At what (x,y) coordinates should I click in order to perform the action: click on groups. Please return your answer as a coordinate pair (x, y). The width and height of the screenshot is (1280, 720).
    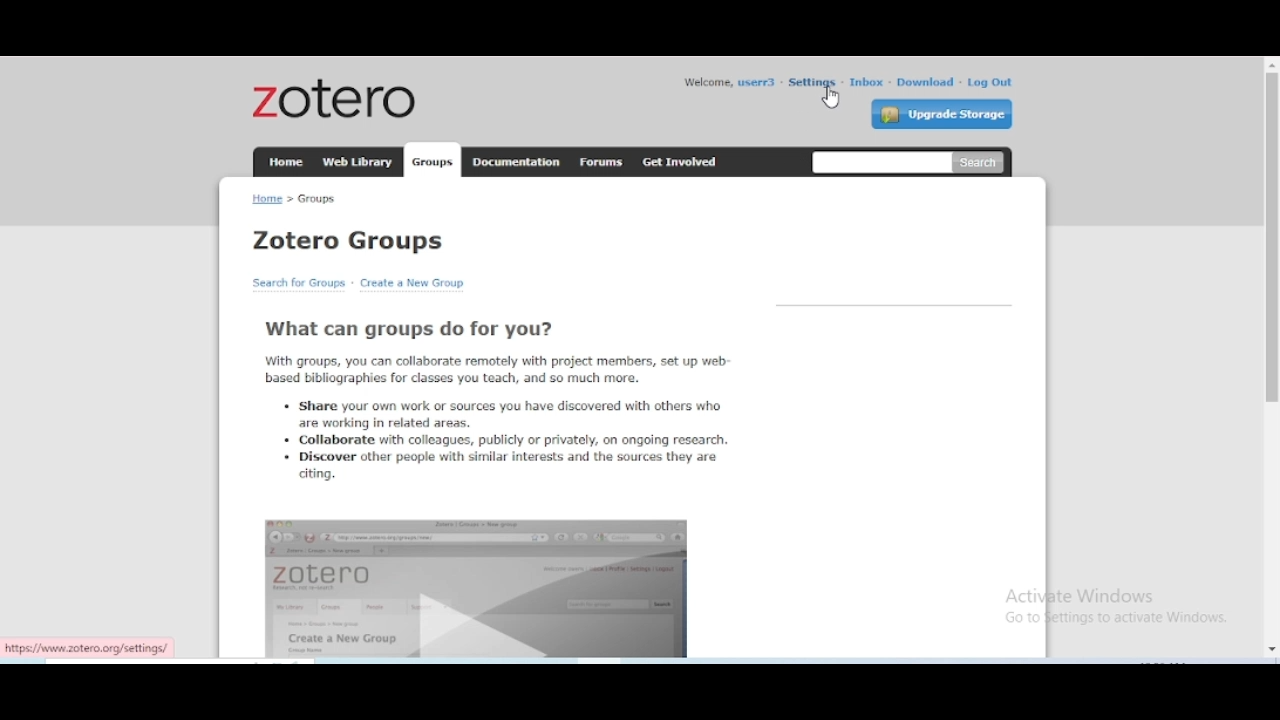
    Looking at the image, I should click on (433, 163).